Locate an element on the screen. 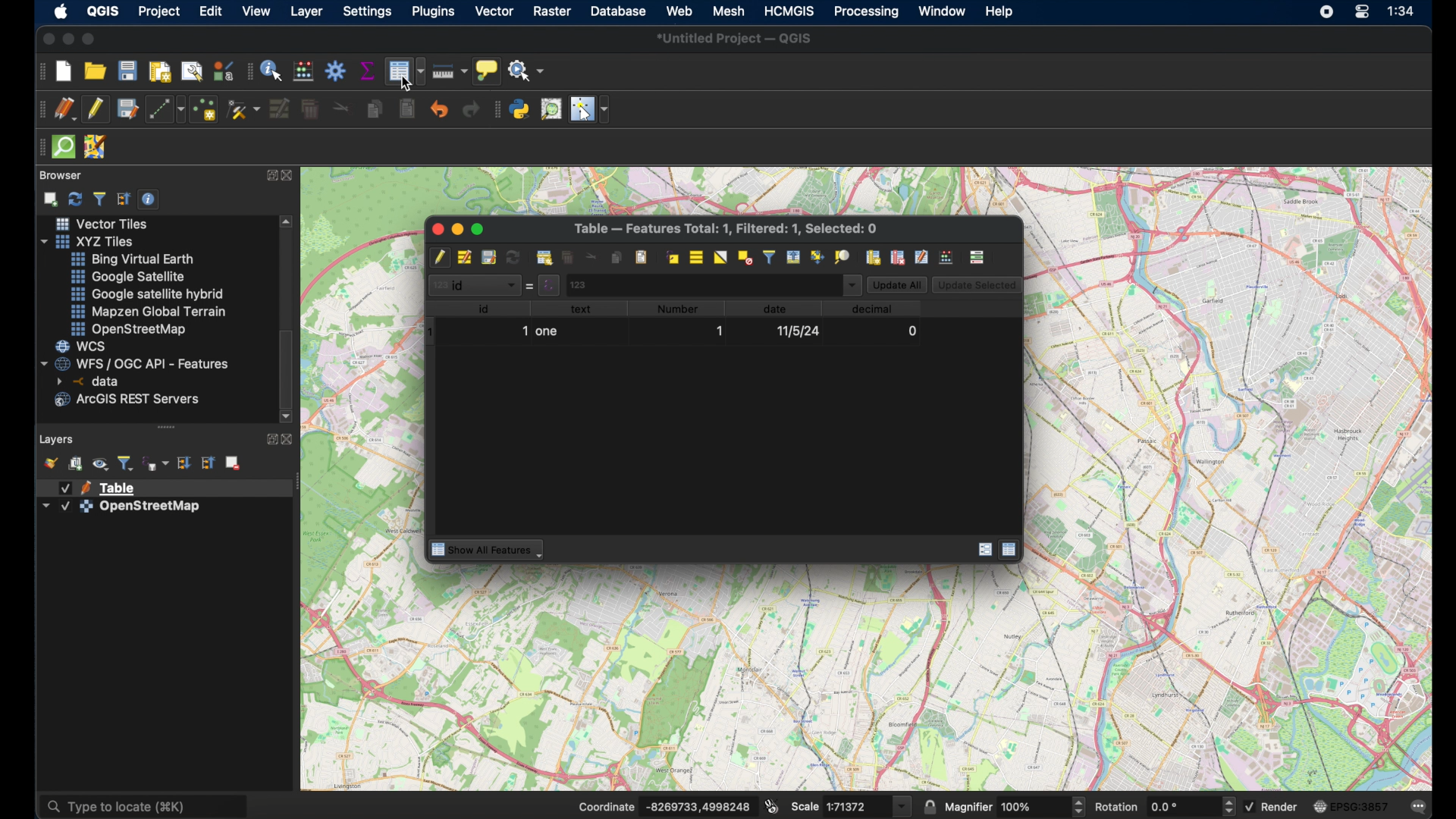 The width and height of the screenshot is (1456, 819). scroll up arrow is located at coordinates (286, 220).